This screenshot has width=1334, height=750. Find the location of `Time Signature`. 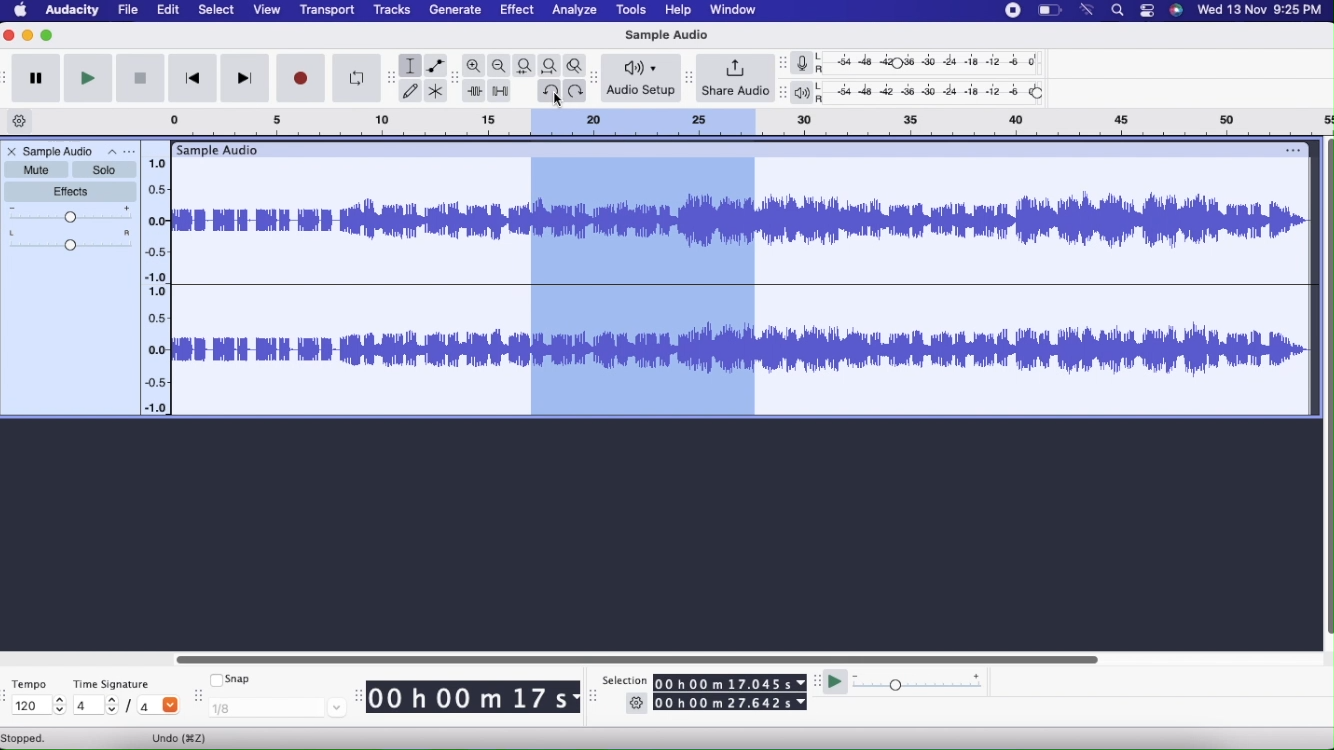

Time Signature is located at coordinates (111, 685).